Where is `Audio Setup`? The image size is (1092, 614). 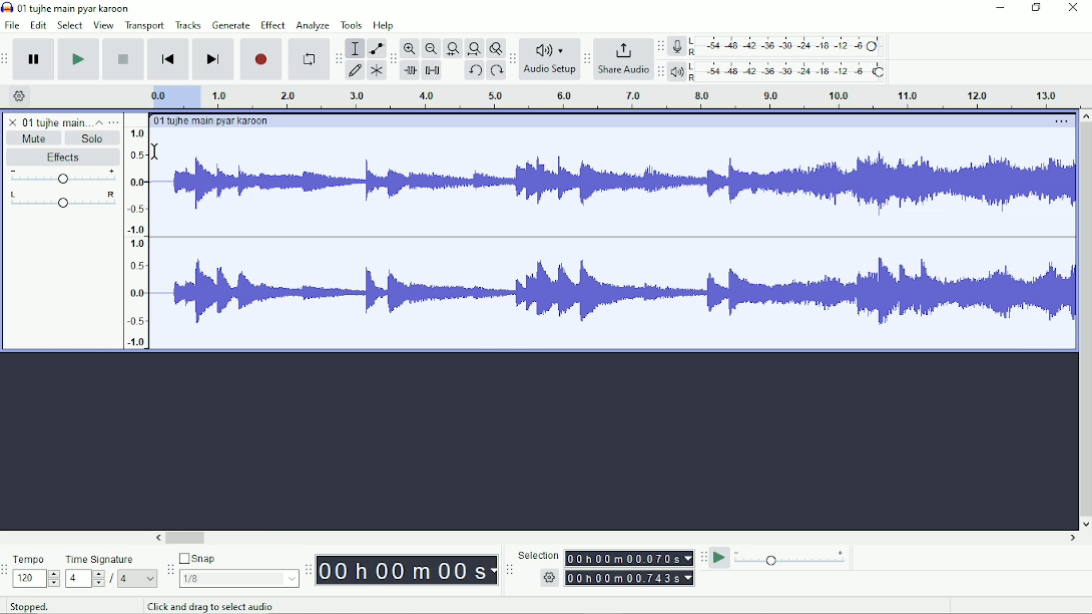 Audio Setup is located at coordinates (550, 72).